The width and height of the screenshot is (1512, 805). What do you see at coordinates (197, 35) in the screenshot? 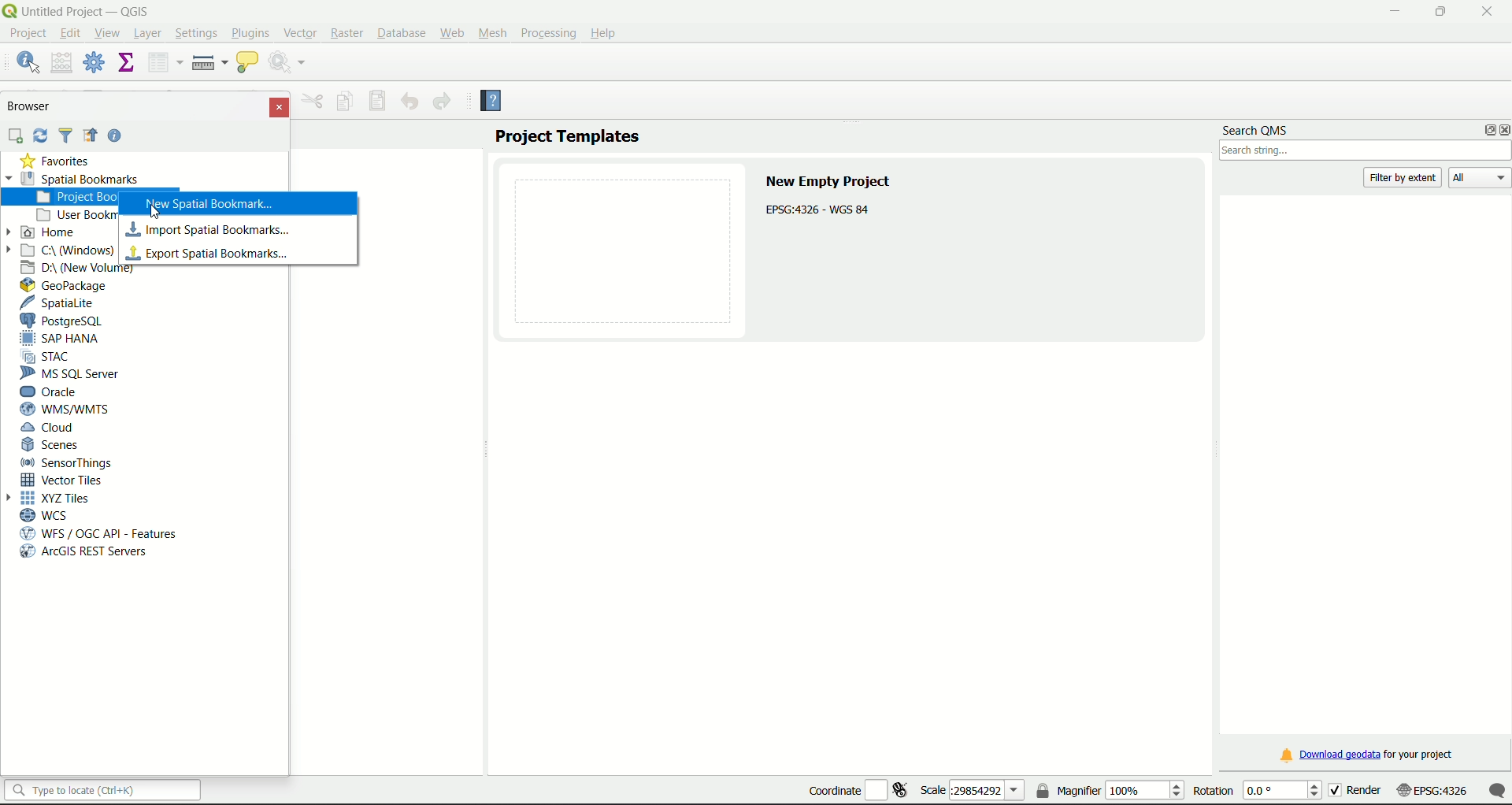
I see `Settings` at bounding box center [197, 35].